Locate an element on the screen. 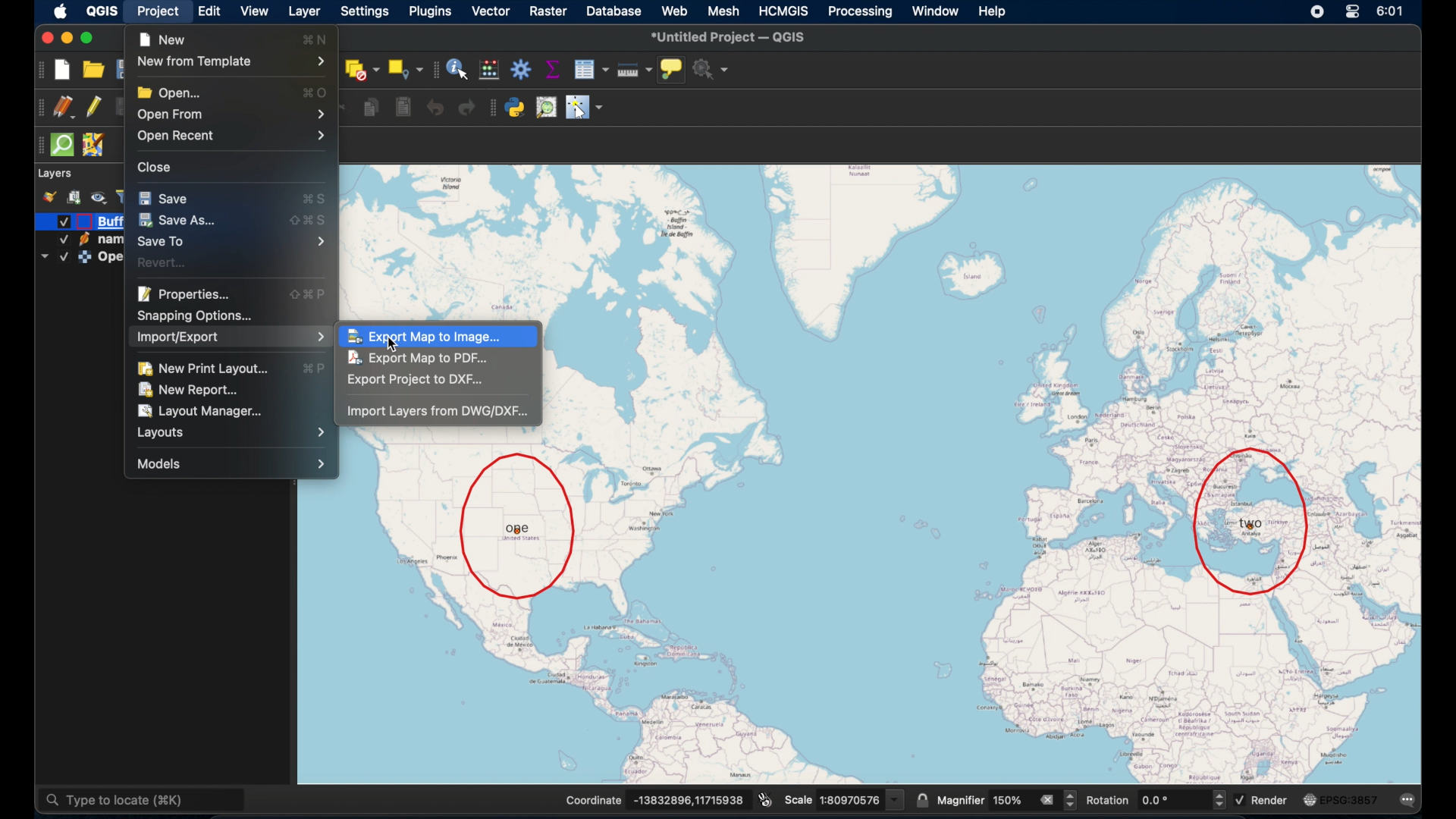 The image size is (1456, 819). icon is located at coordinates (85, 257).